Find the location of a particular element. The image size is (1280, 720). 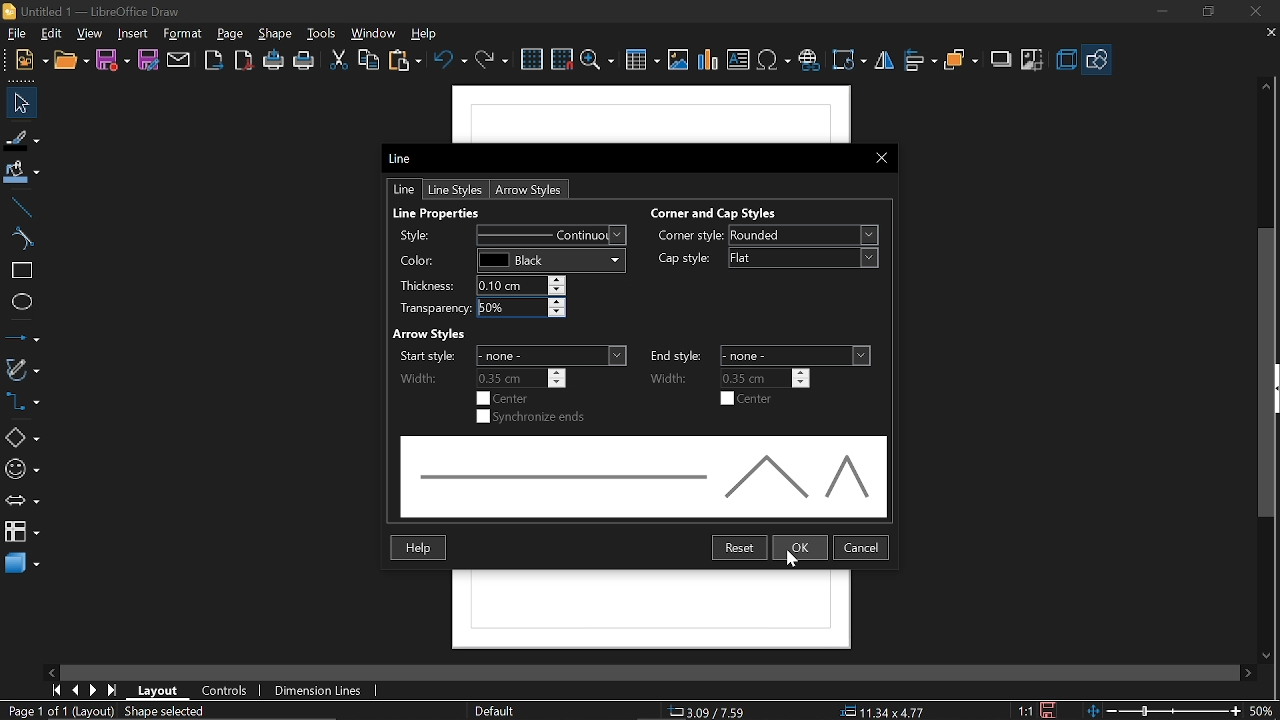

close is located at coordinates (1252, 12).